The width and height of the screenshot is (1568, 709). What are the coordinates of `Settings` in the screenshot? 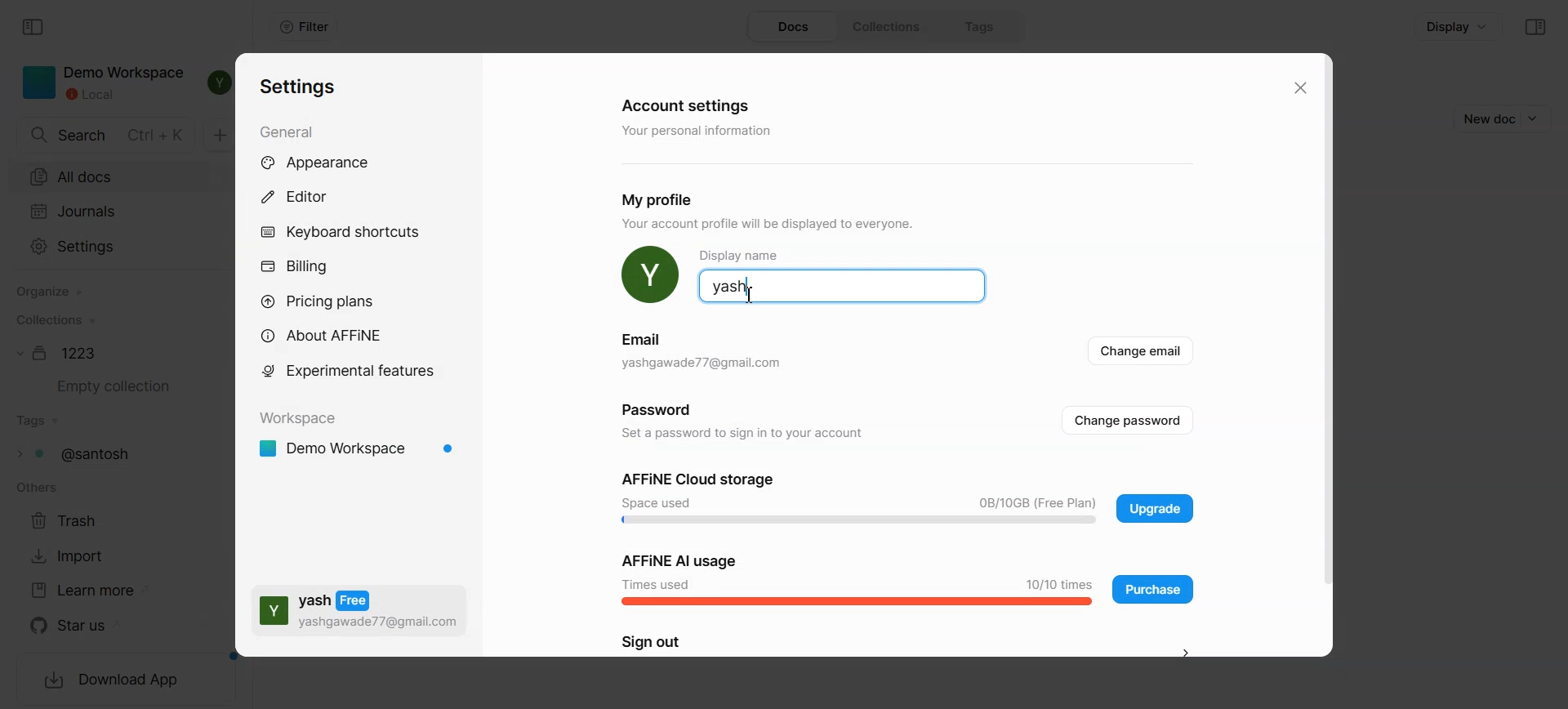 It's located at (299, 87).